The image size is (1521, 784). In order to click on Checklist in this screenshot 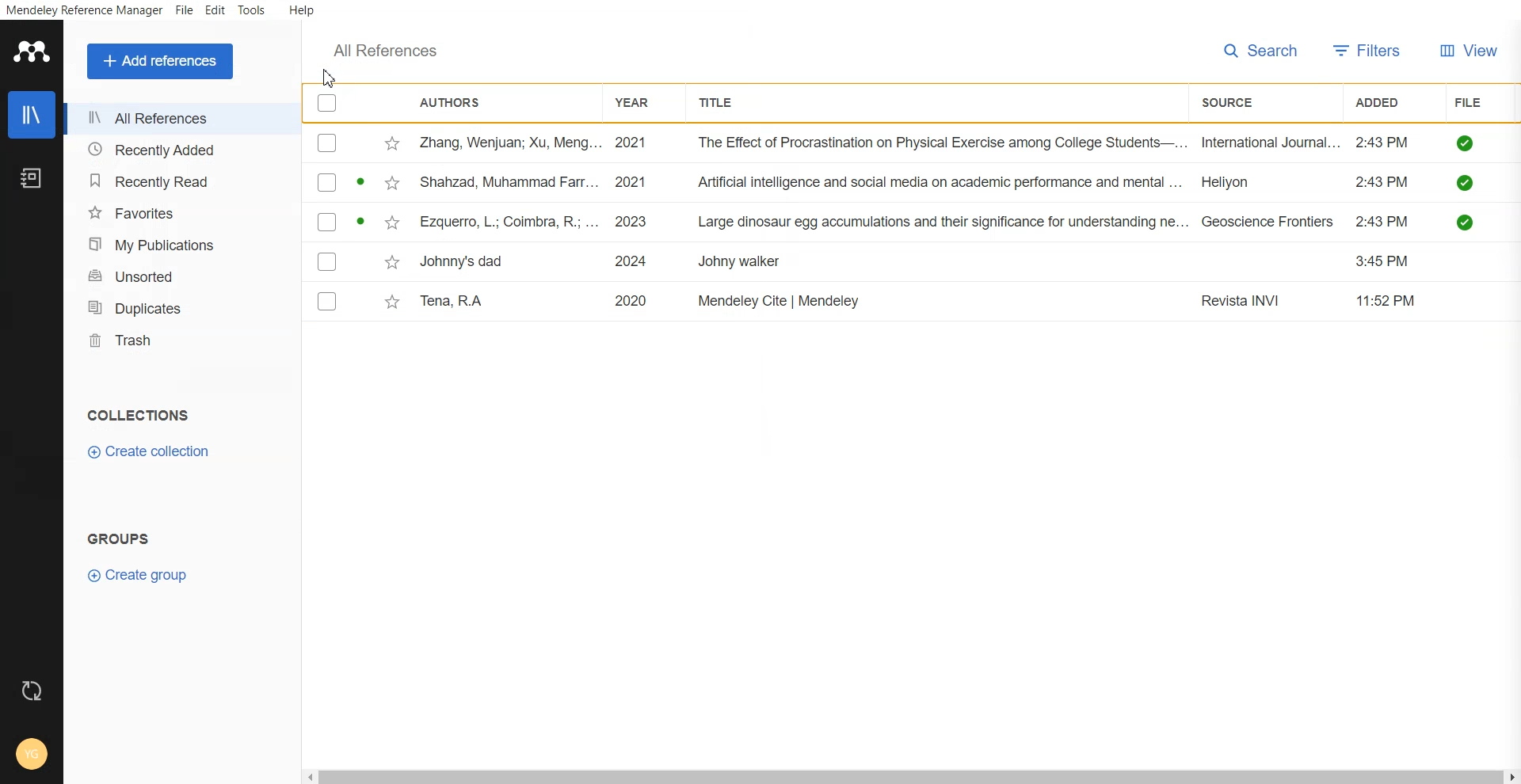, I will do `click(327, 105)`.